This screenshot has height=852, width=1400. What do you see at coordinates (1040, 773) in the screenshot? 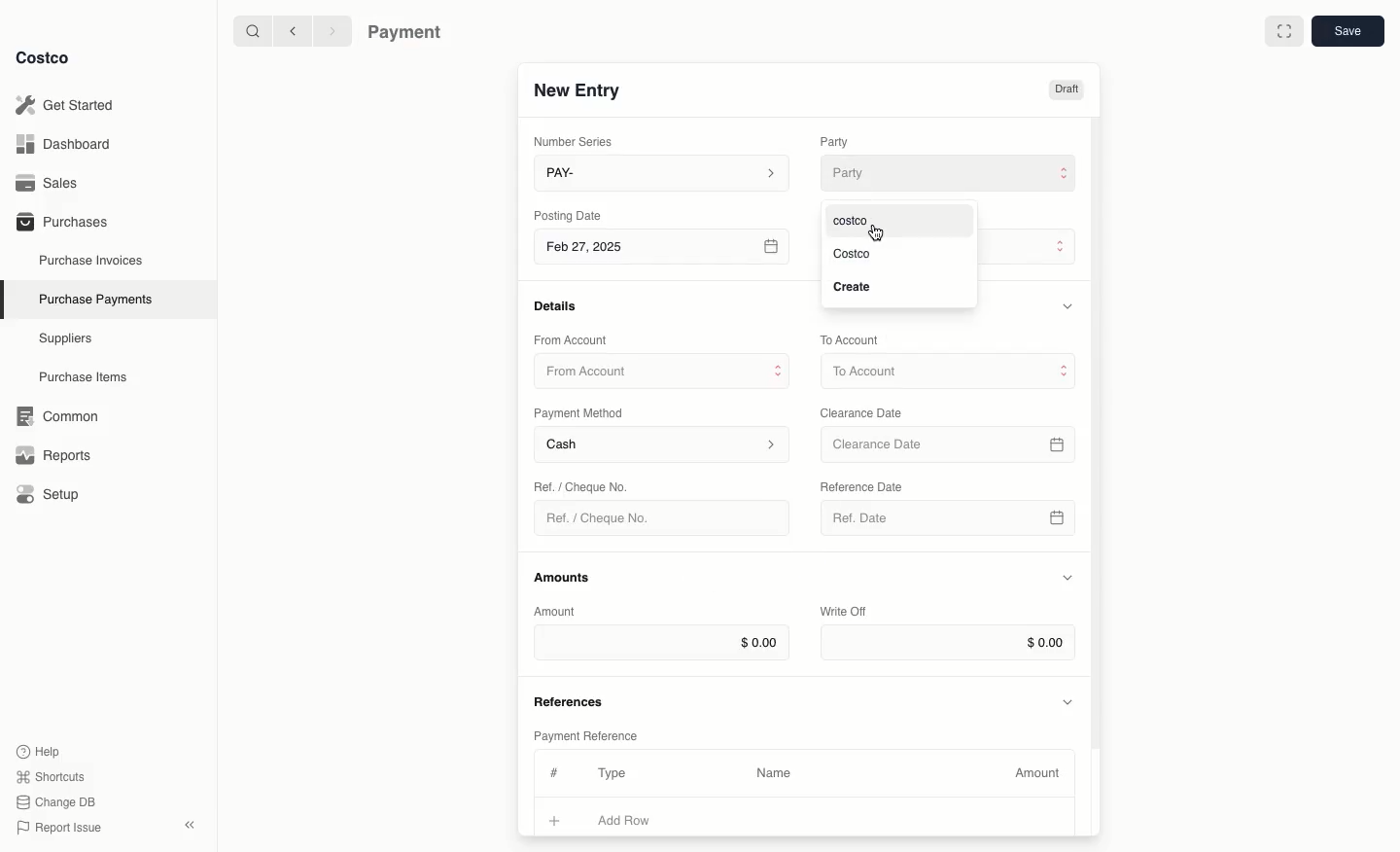
I see `Amount` at bounding box center [1040, 773].